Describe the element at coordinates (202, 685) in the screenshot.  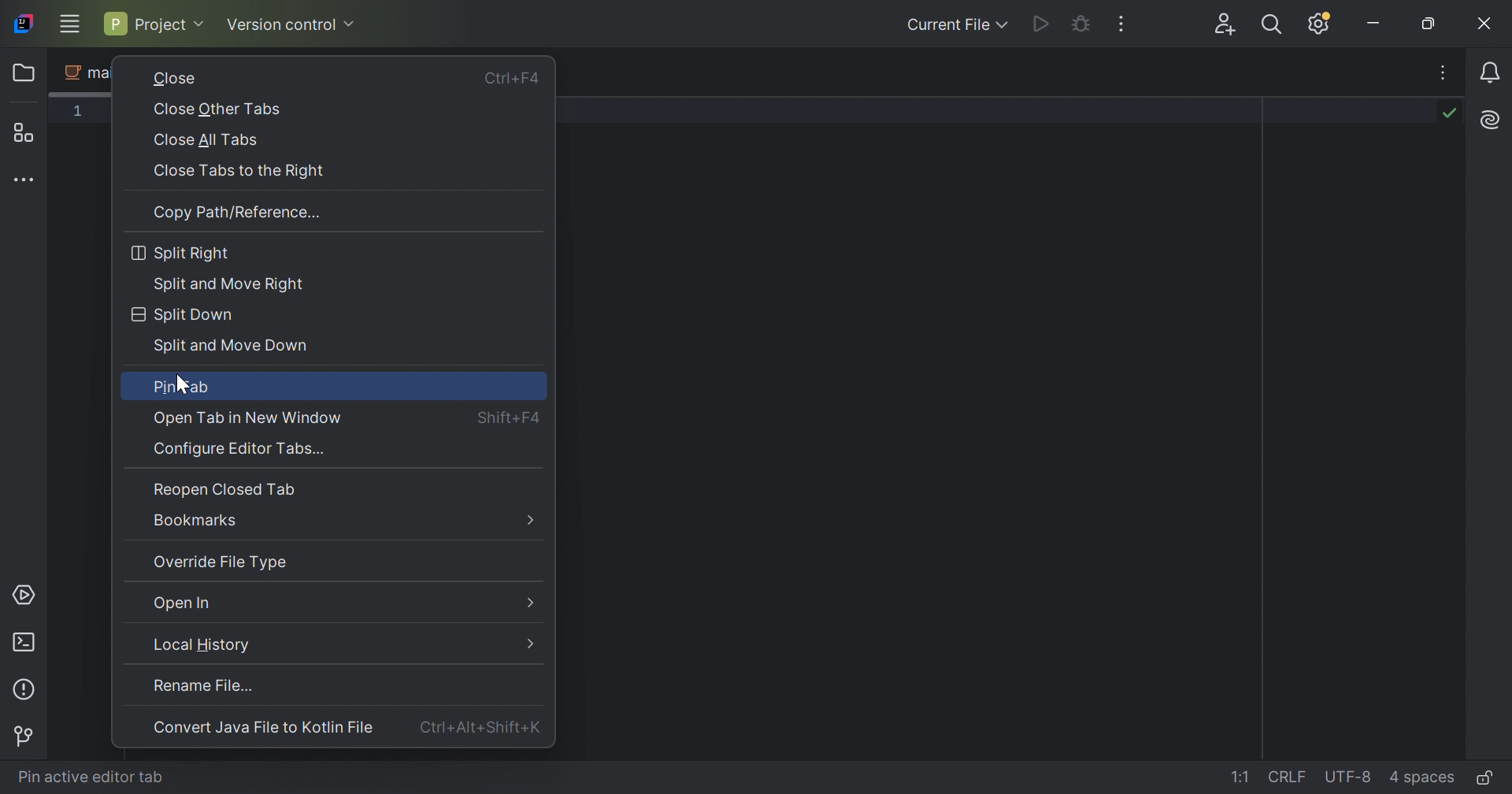
I see `Rename file` at that location.